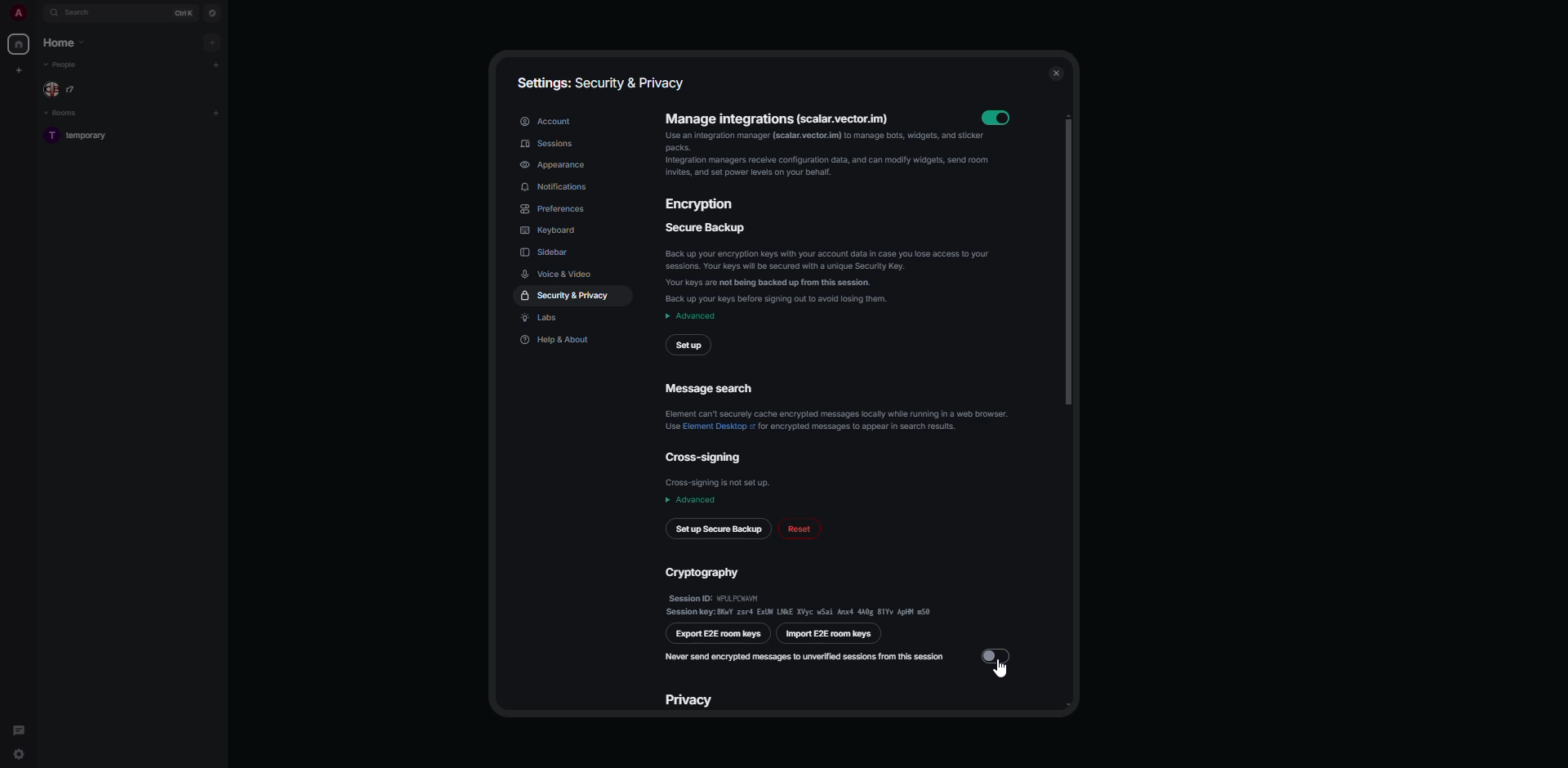 The width and height of the screenshot is (1568, 768). Describe the element at coordinates (804, 655) in the screenshot. I see `never send encrypted messages` at that location.